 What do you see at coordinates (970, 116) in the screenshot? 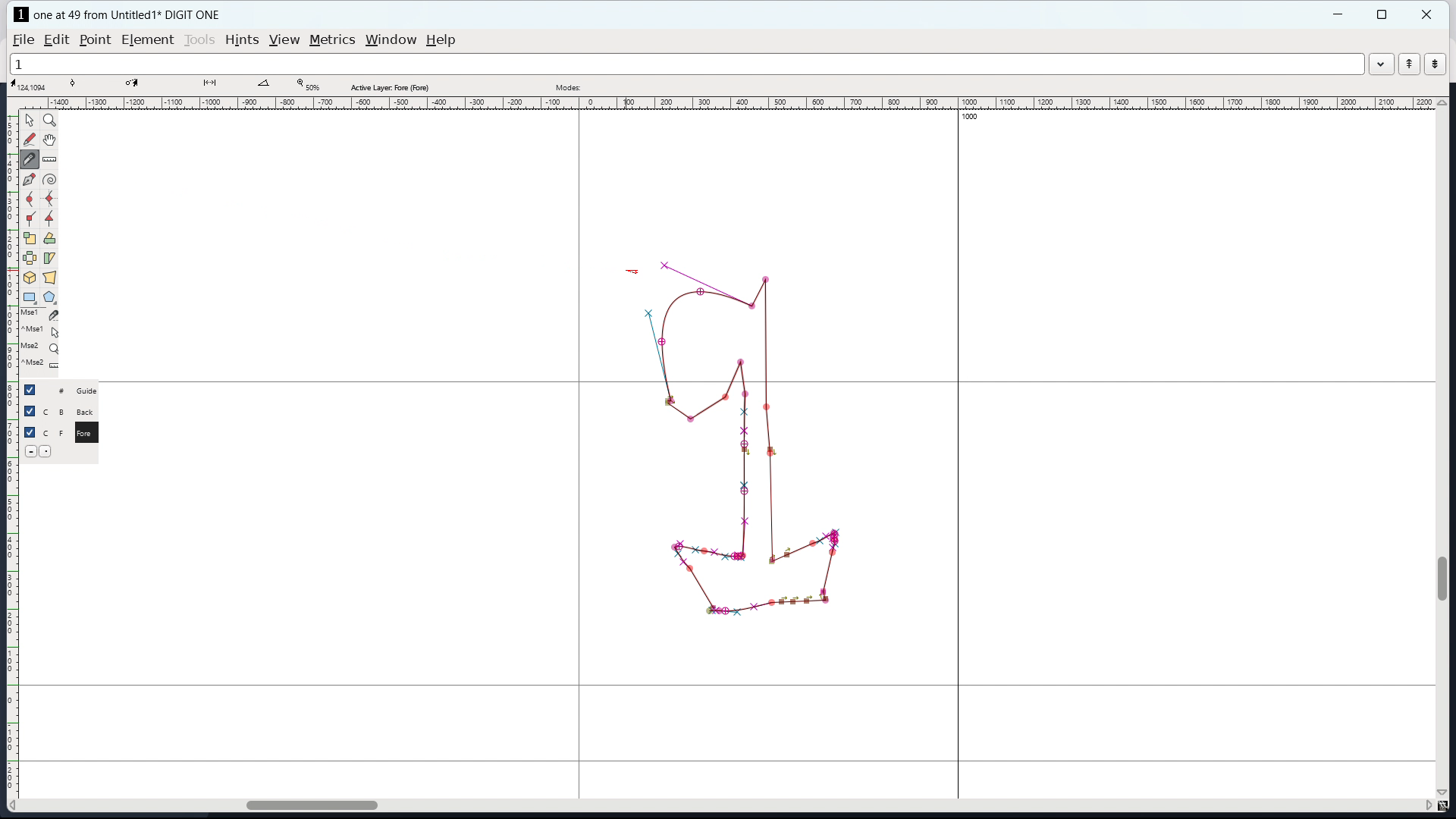
I see `1000` at bounding box center [970, 116].